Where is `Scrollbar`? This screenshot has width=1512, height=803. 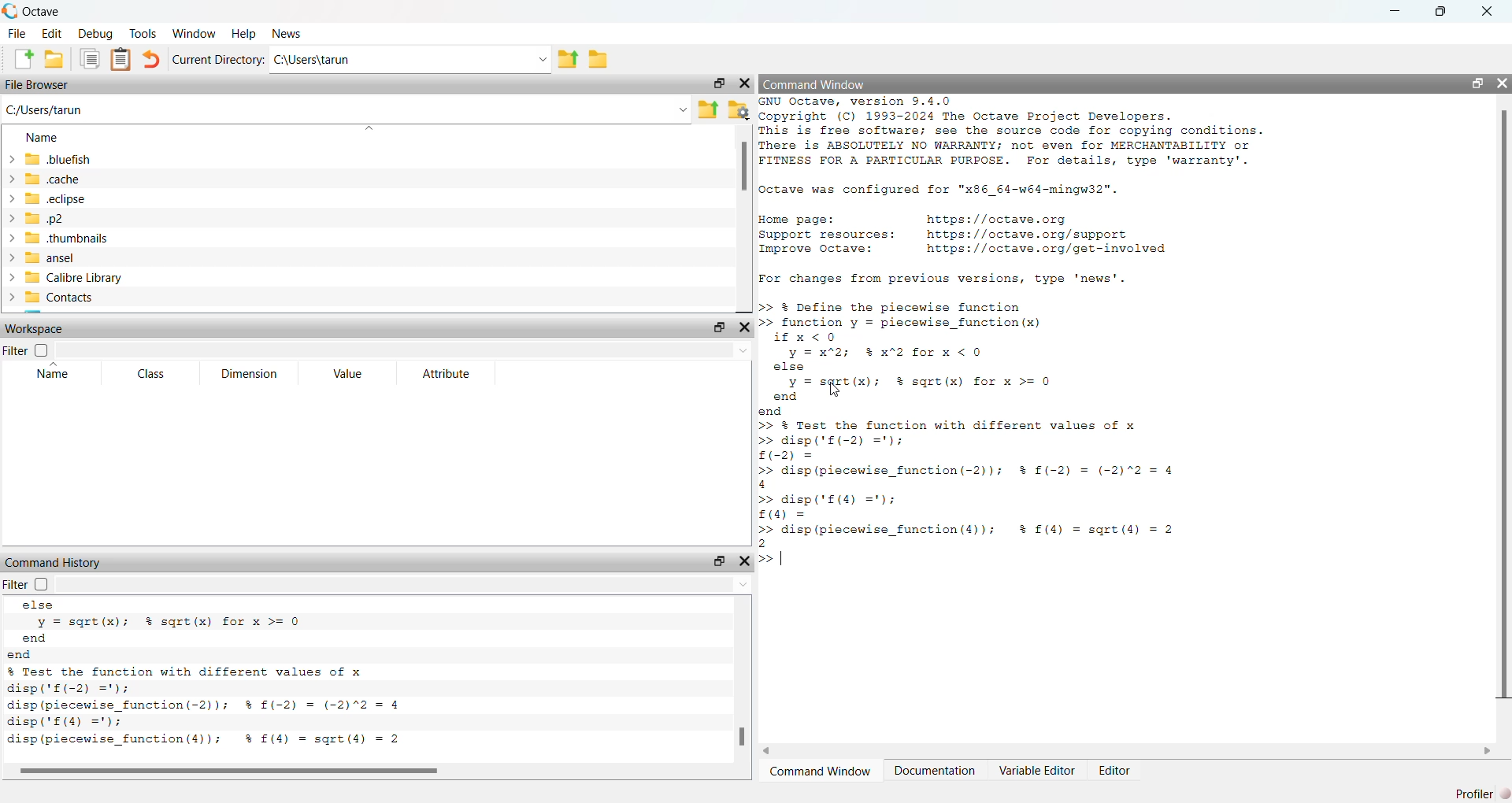 Scrollbar is located at coordinates (739, 736).